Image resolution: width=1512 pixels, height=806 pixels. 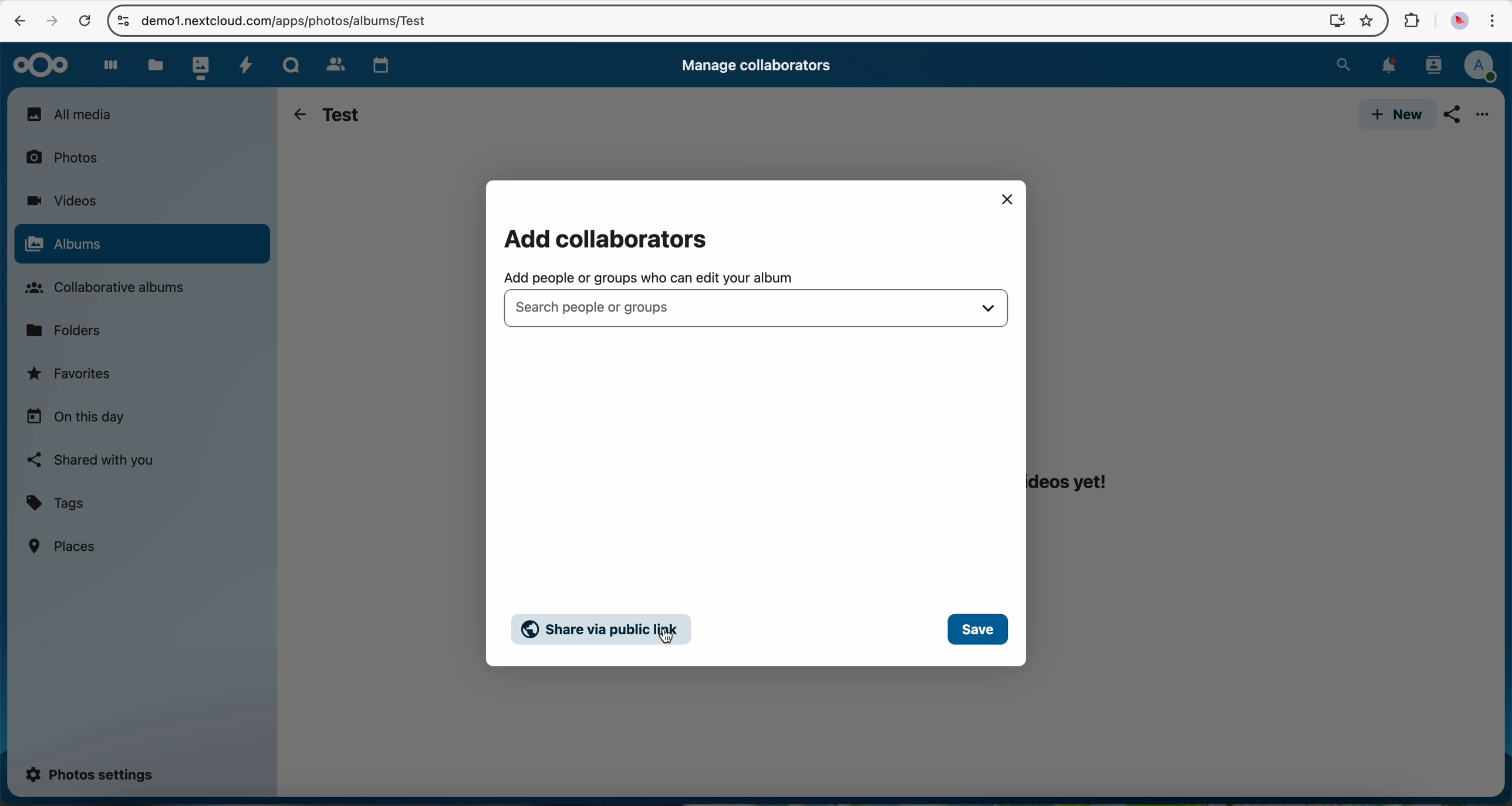 I want to click on navigate back, so click(x=296, y=114).